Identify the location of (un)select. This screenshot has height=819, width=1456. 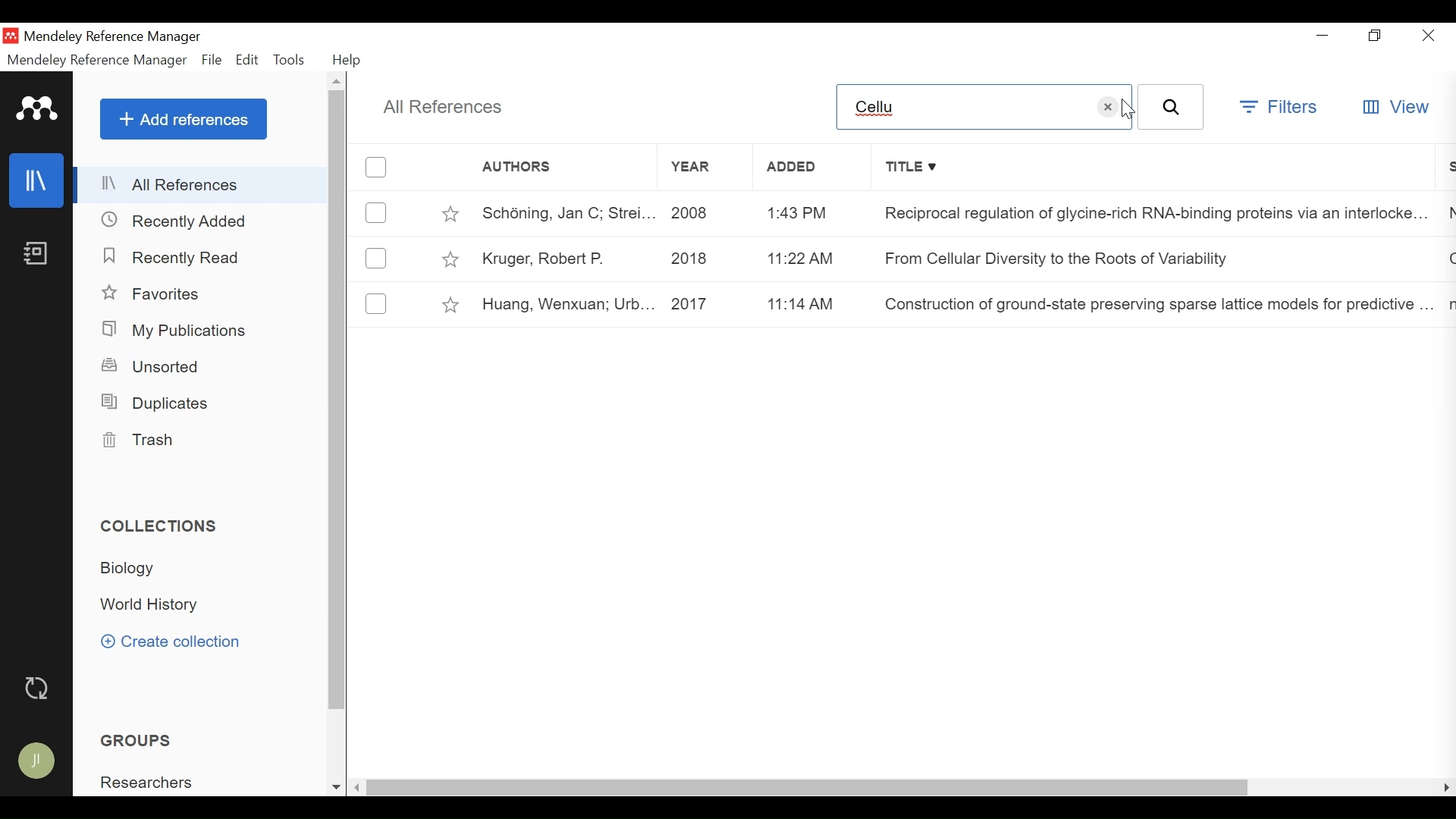
(375, 301).